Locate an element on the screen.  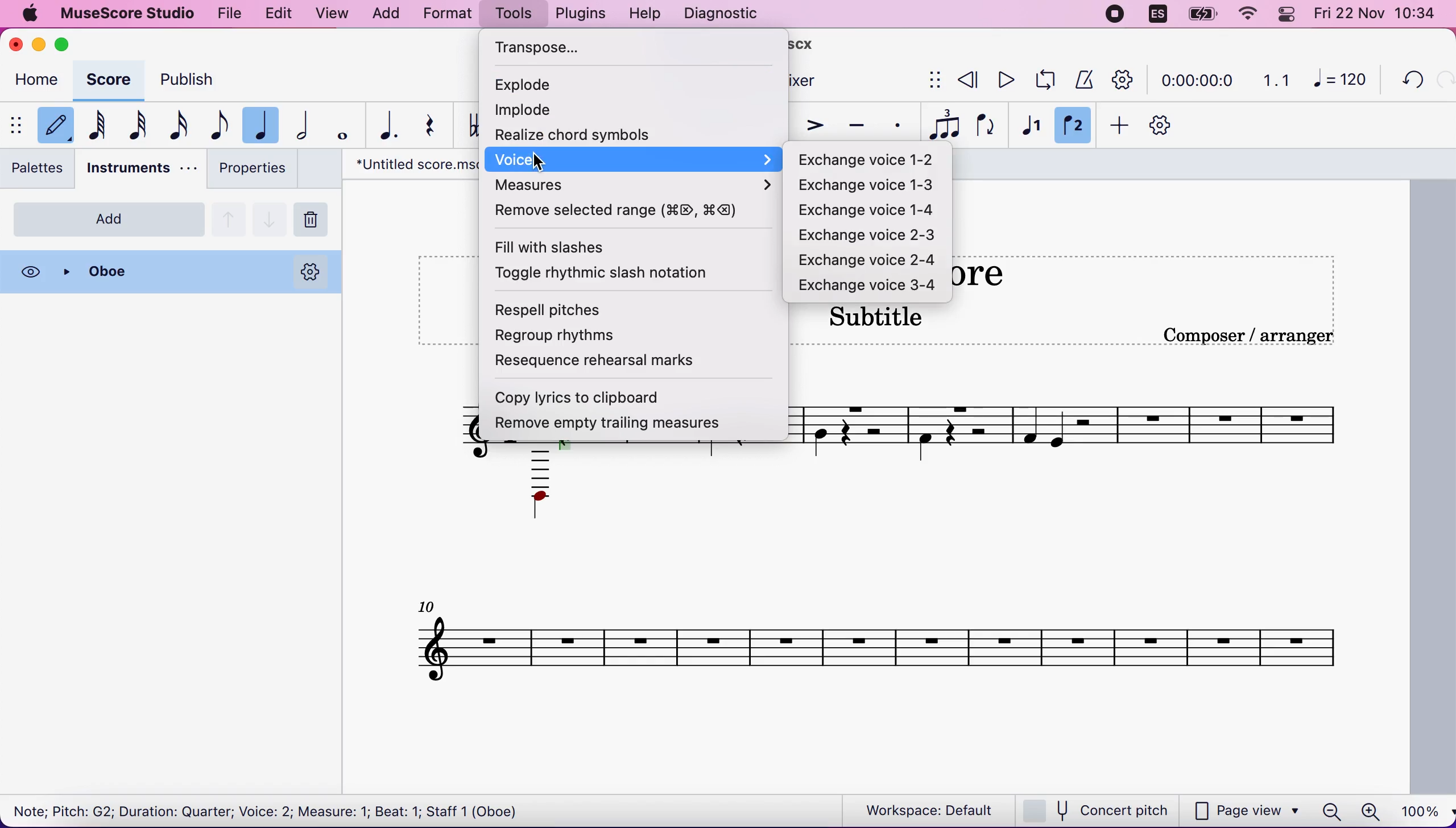
go up is located at coordinates (229, 218).